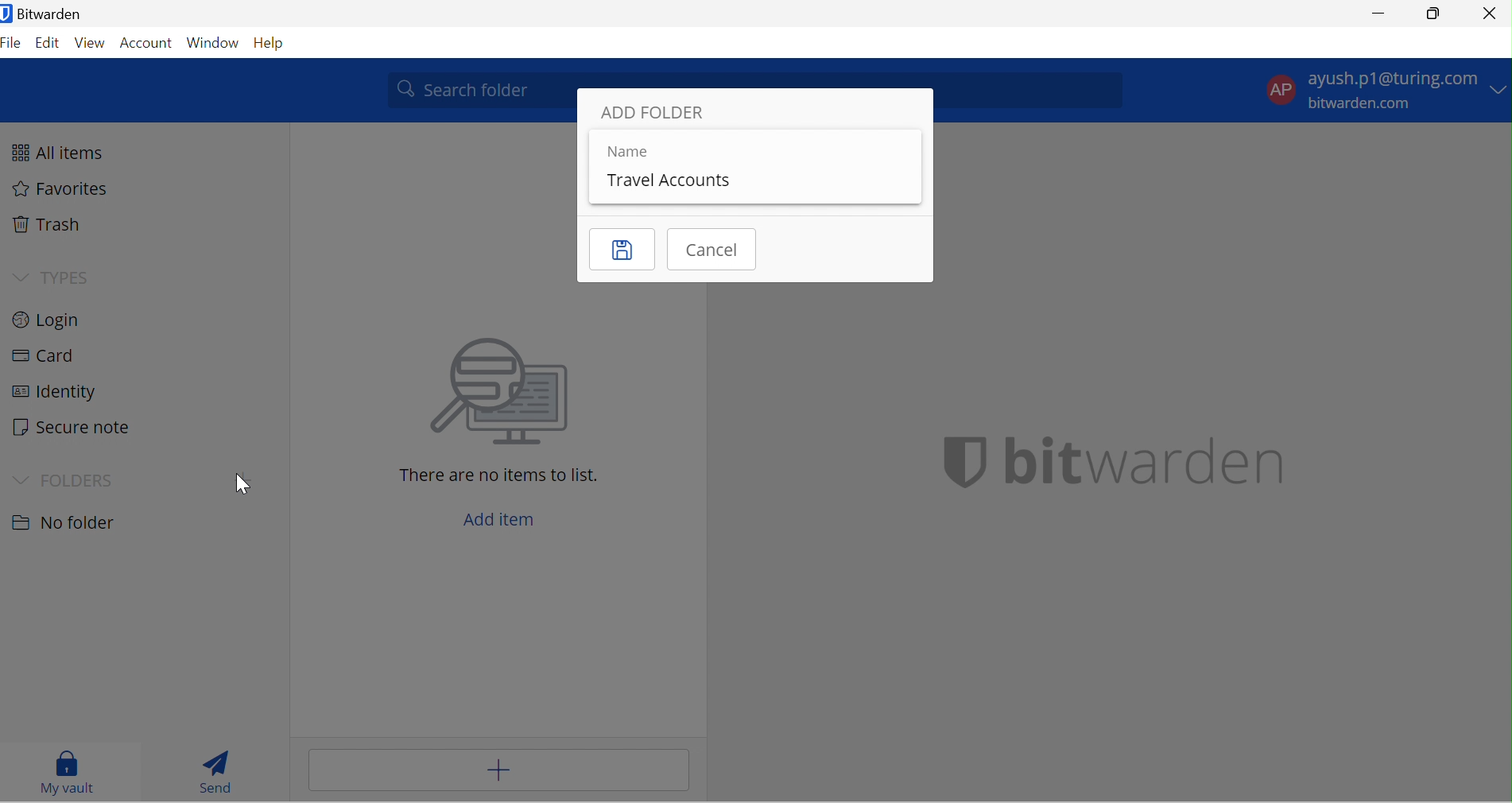 This screenshot has width=1512, height=803. I want to click on Account, so click(145, 41).